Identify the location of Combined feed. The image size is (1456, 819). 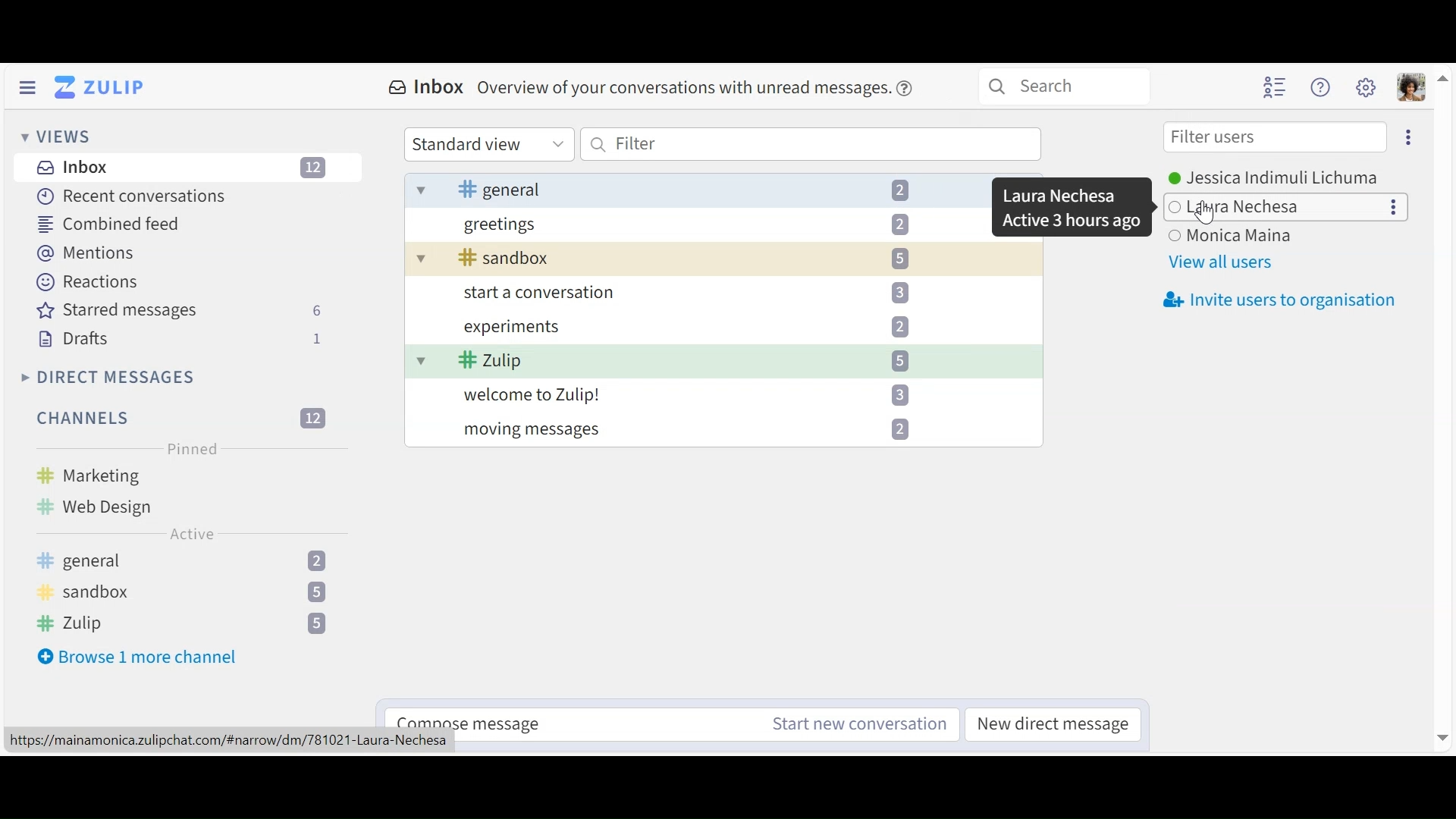
(111, 223).